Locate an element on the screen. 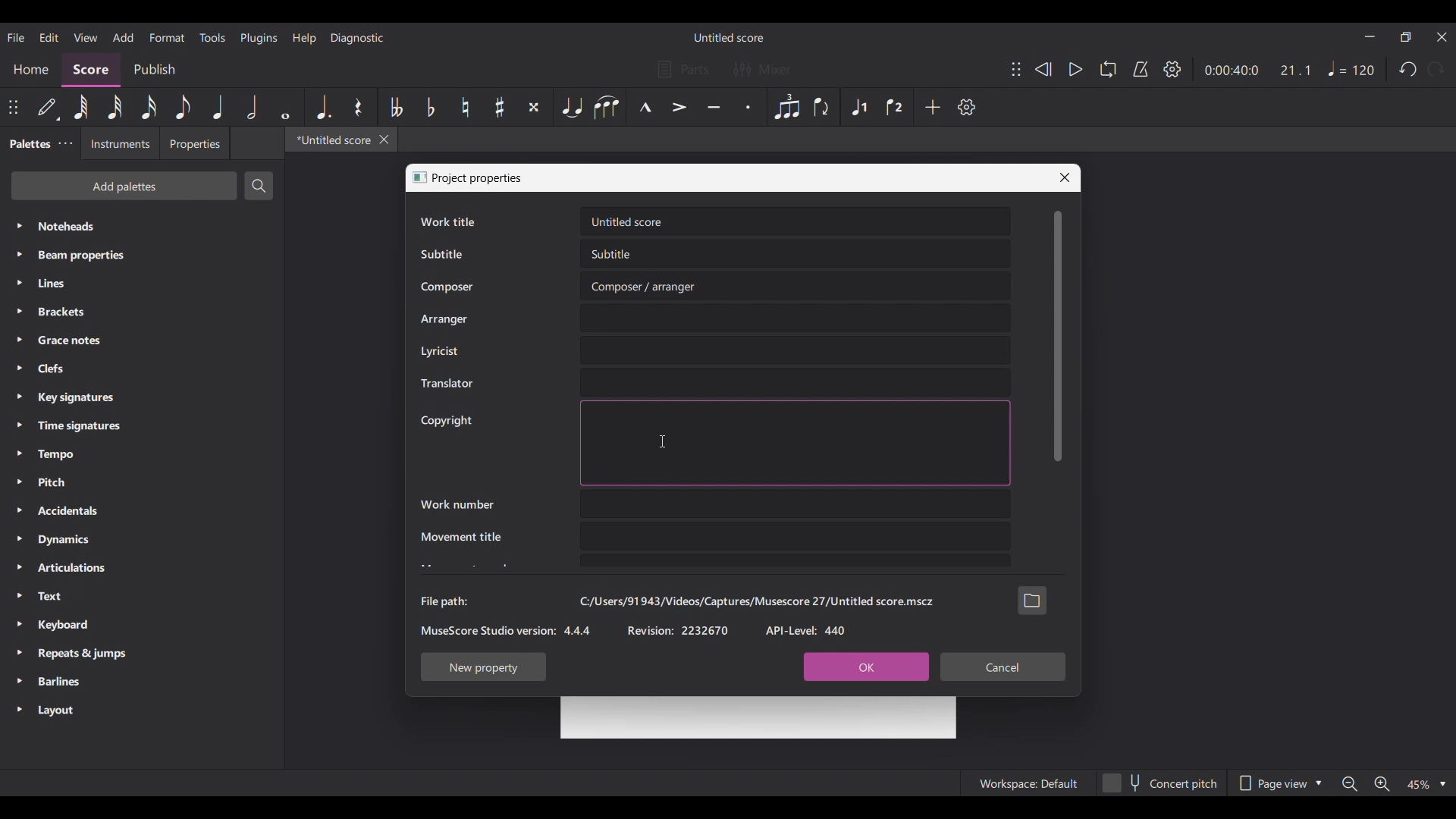 The width and height of the screenshot is (1456, 819). Change position is located at coordinates (1017, 69).